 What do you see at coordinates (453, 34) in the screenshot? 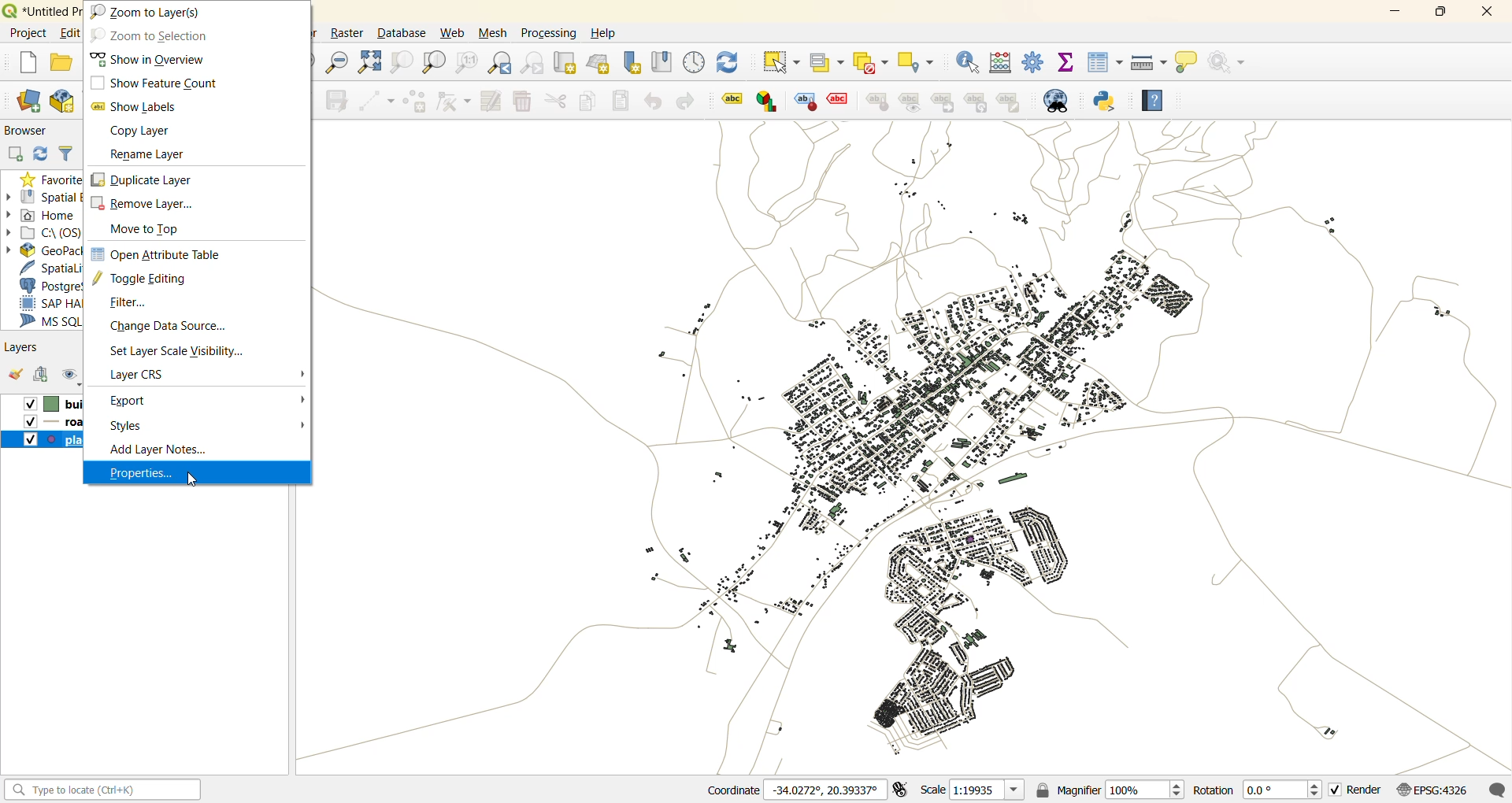
I see `web` at bounding box center [453, 34].